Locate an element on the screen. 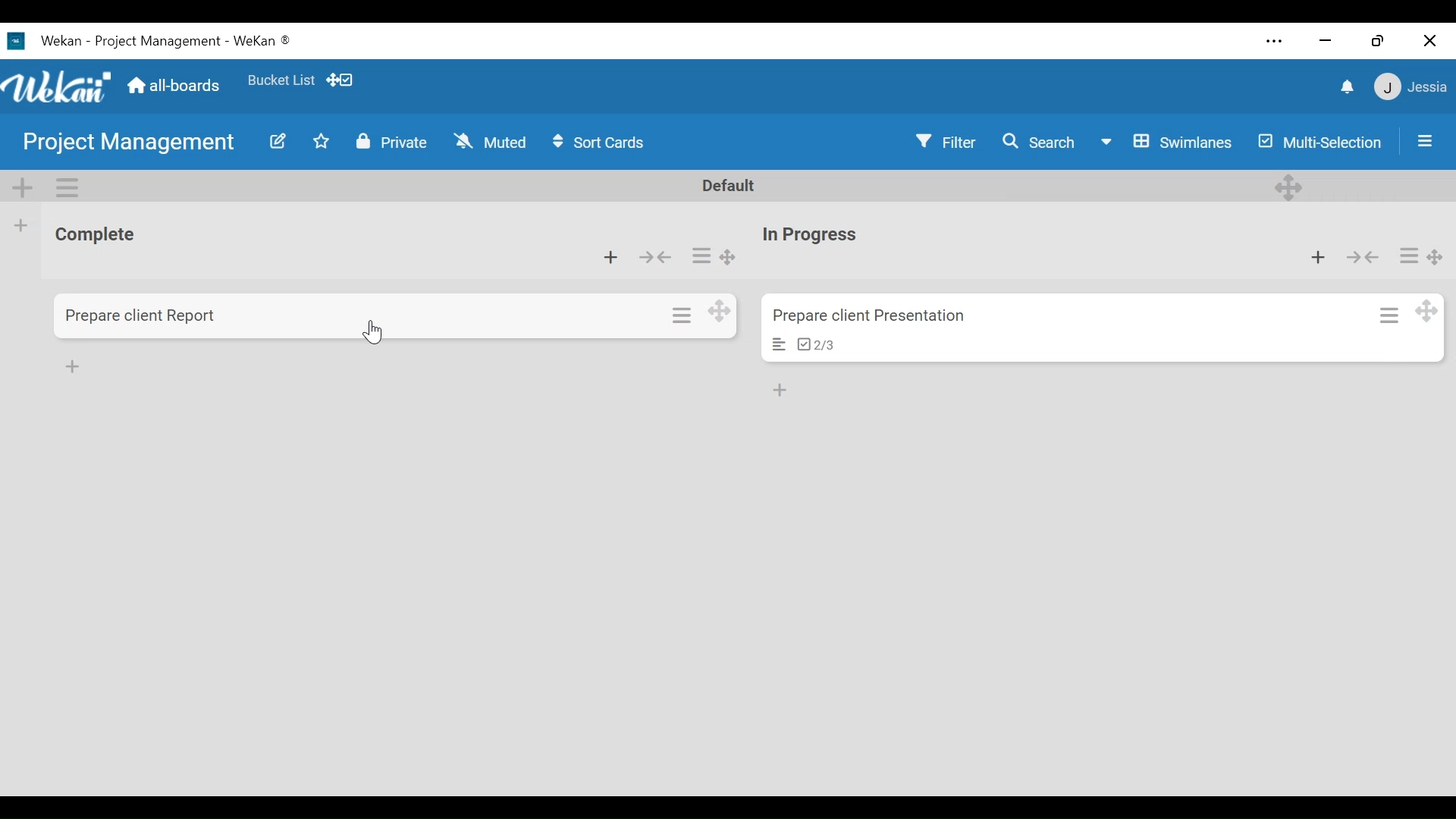  notifications is located at coordinates (1348, 88).